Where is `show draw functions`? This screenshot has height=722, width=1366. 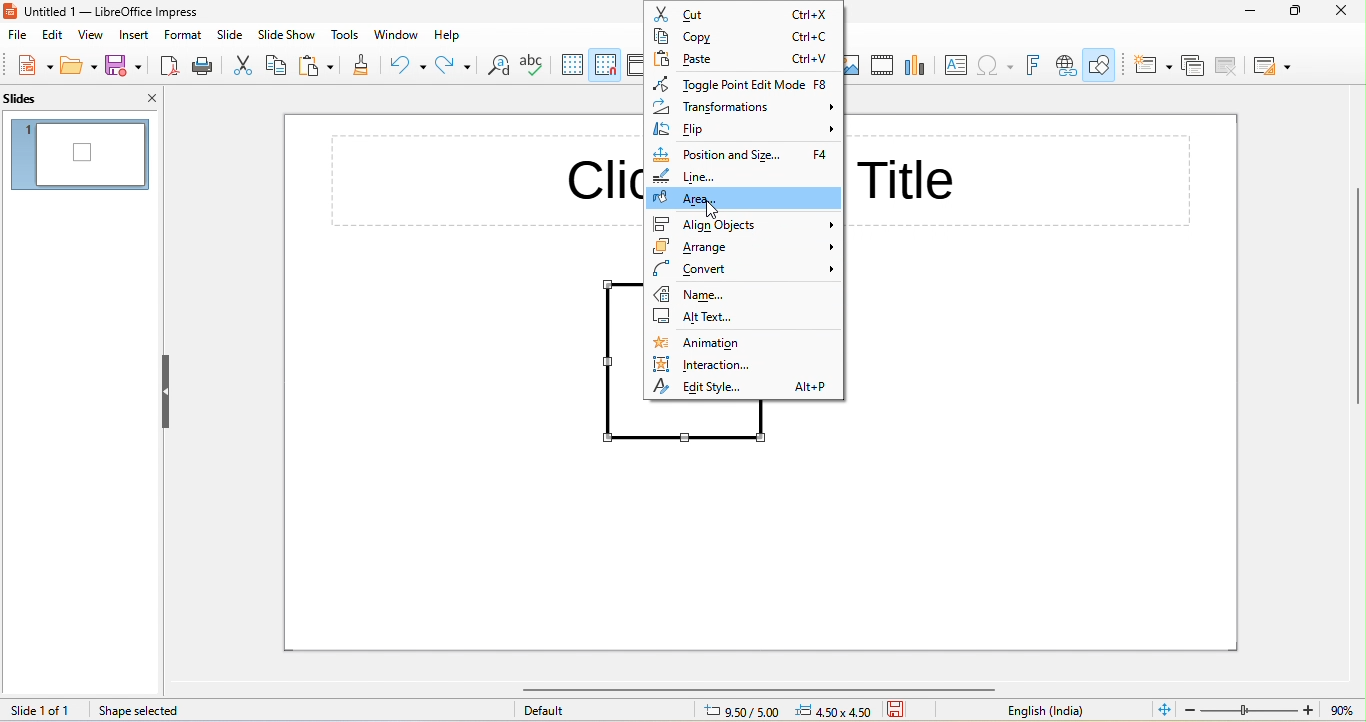
show draw functions is located at coordinates (1102, 64).